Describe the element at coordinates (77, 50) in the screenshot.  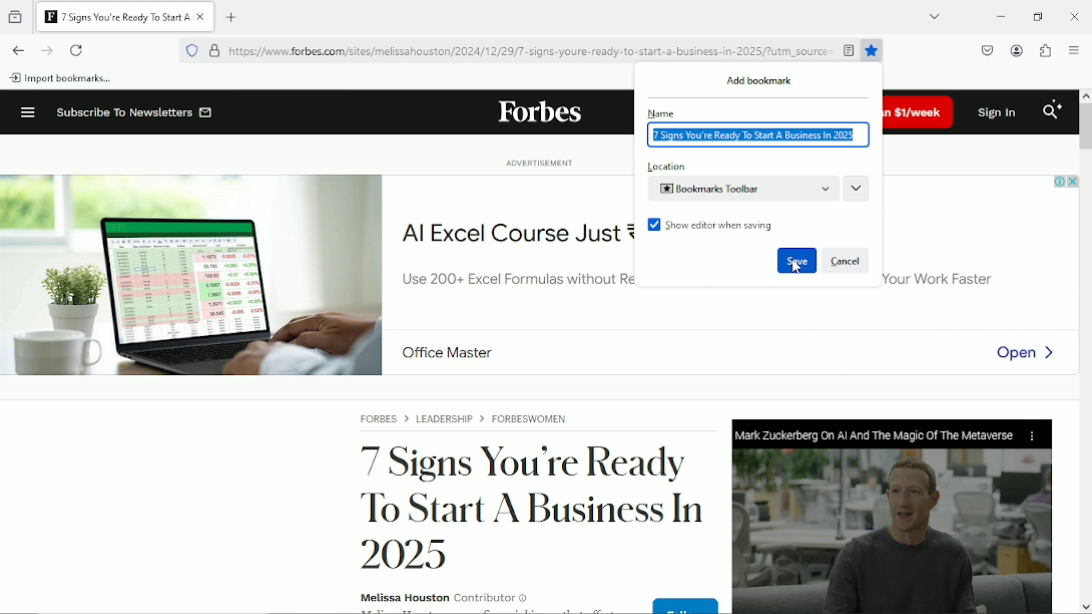
I see `Reload current page` at that location.